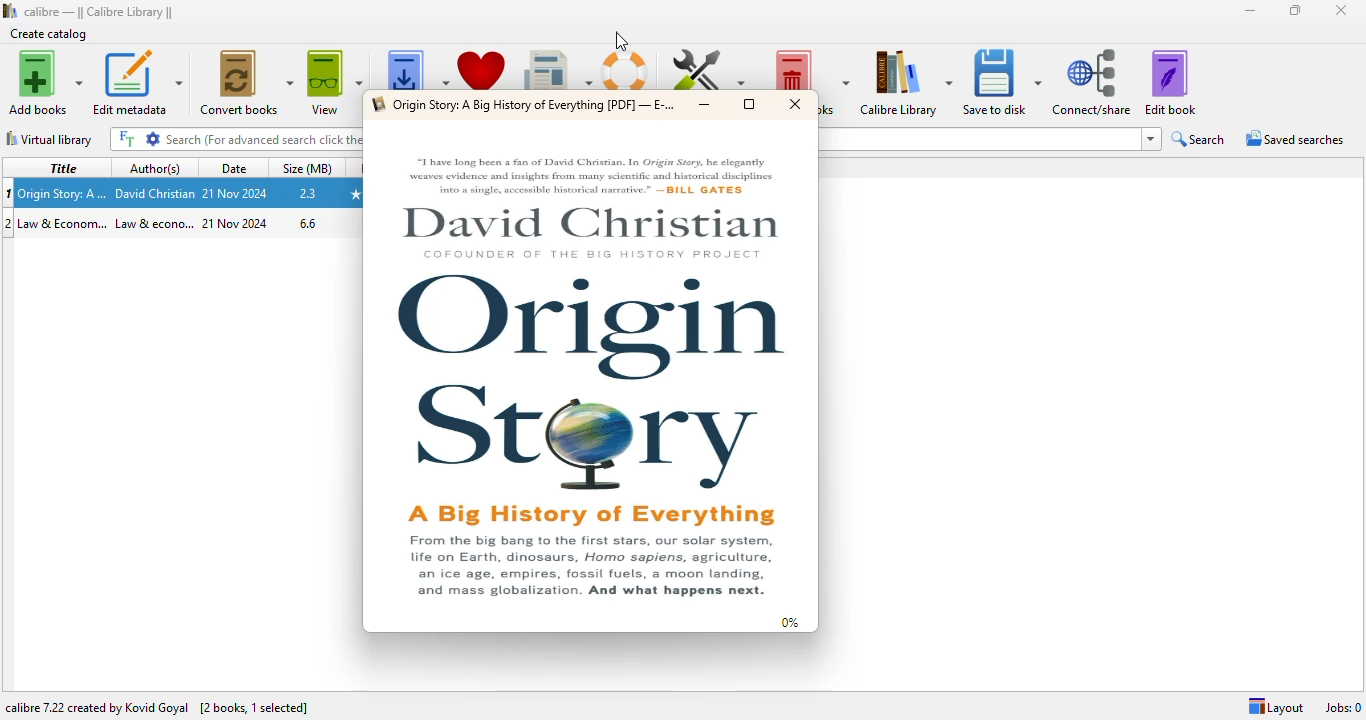 Image resolution: width=1366 pixels, height=720 pixels. I want to click on donate to support calibre, so click(482, 70).